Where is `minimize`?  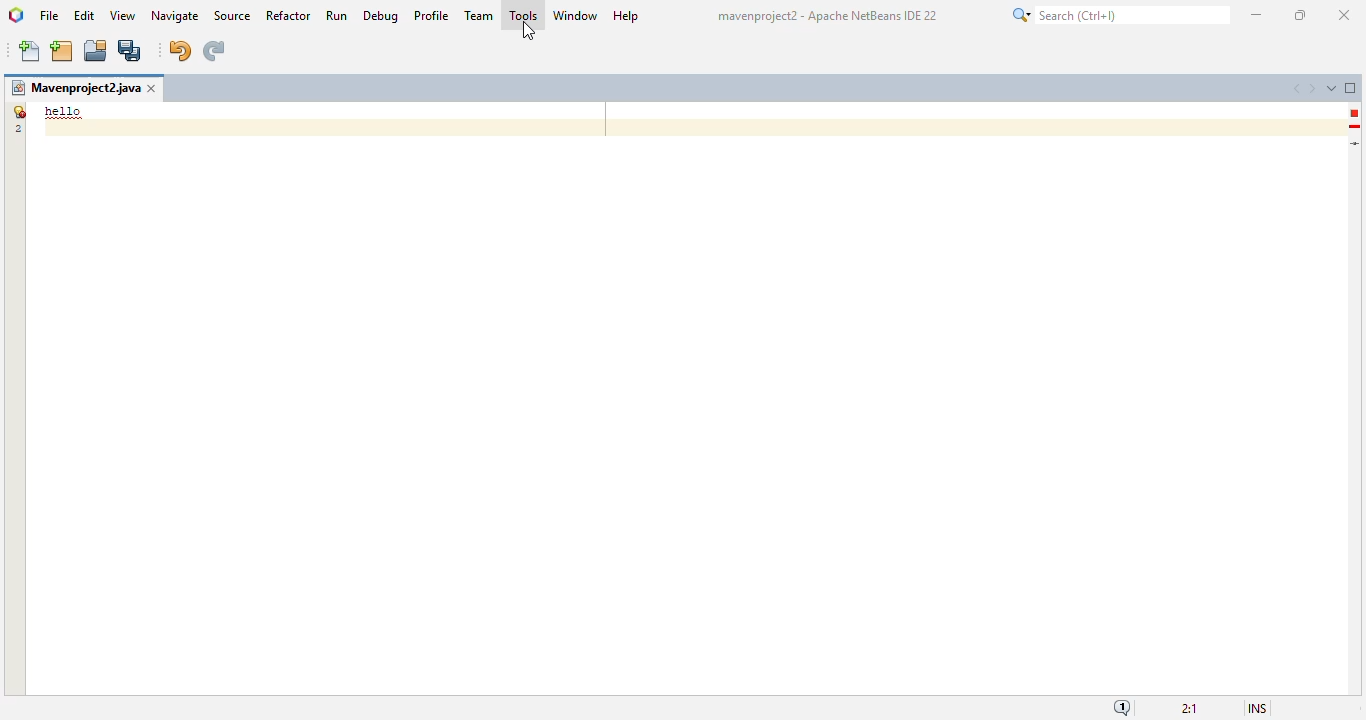
minimize is located at coordinates (1258, 15).